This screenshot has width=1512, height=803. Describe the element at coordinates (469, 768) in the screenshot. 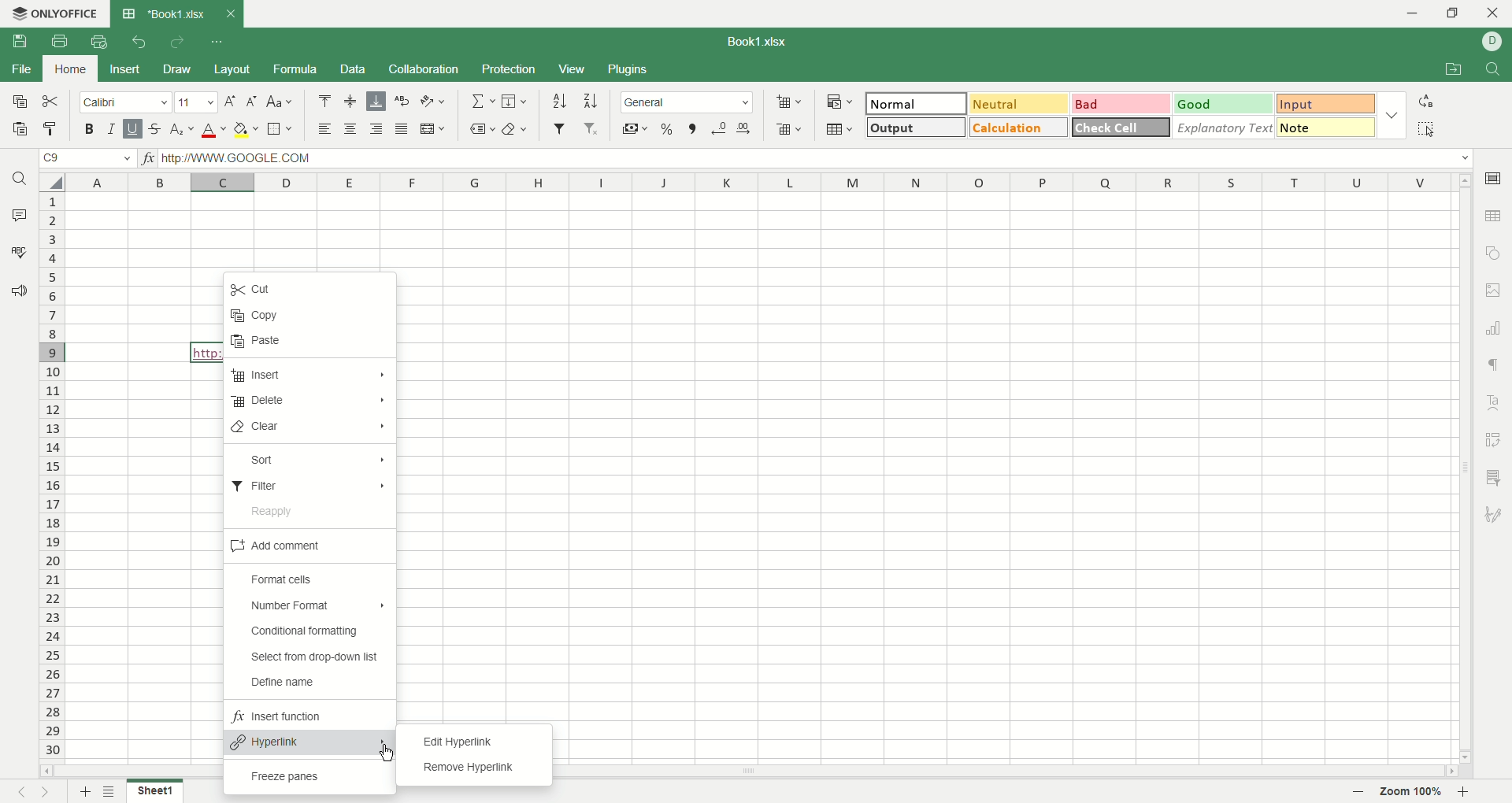

I see `remove hyperlink` at that location.